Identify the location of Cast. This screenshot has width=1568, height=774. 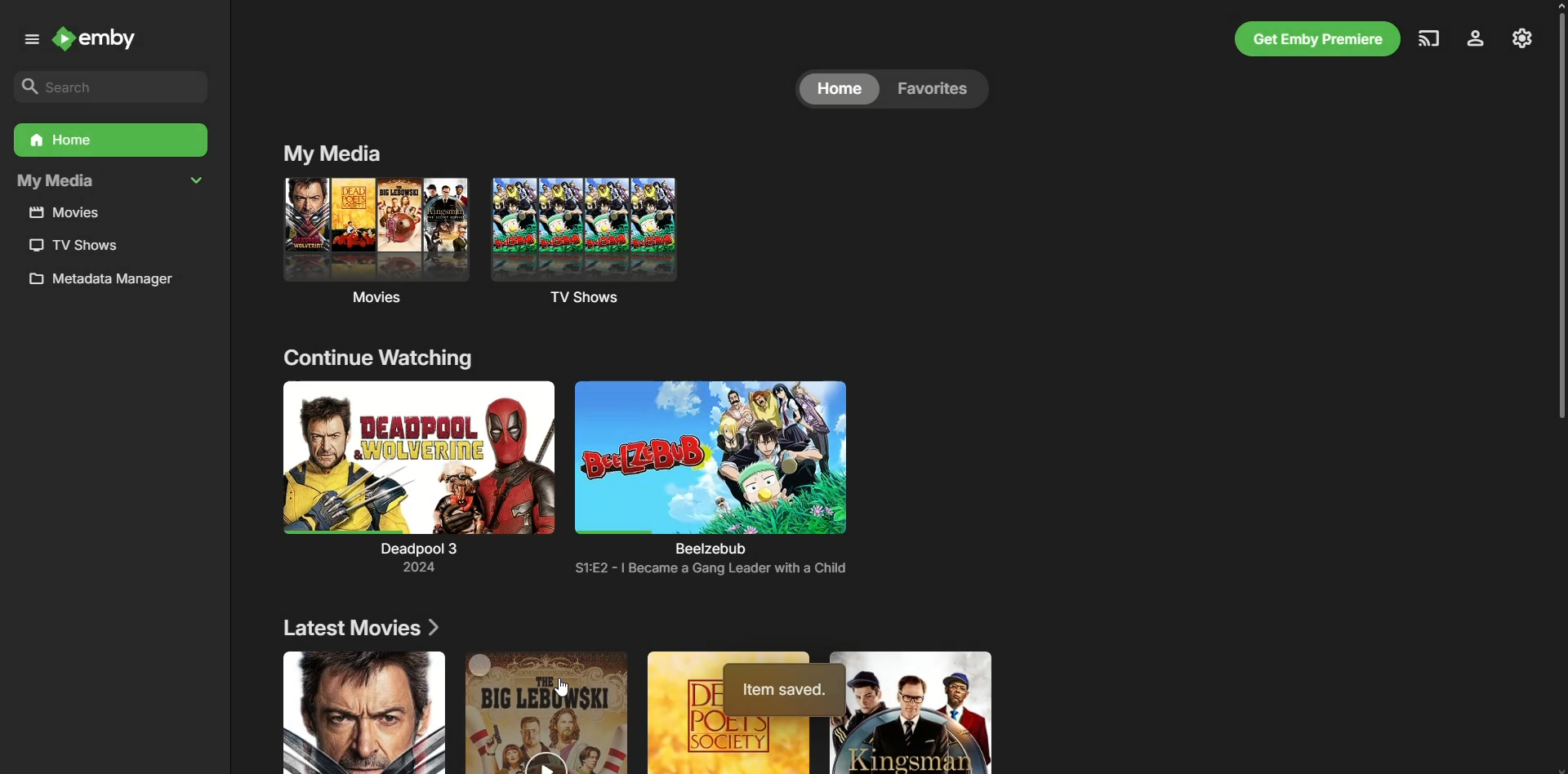
(1427, 38).